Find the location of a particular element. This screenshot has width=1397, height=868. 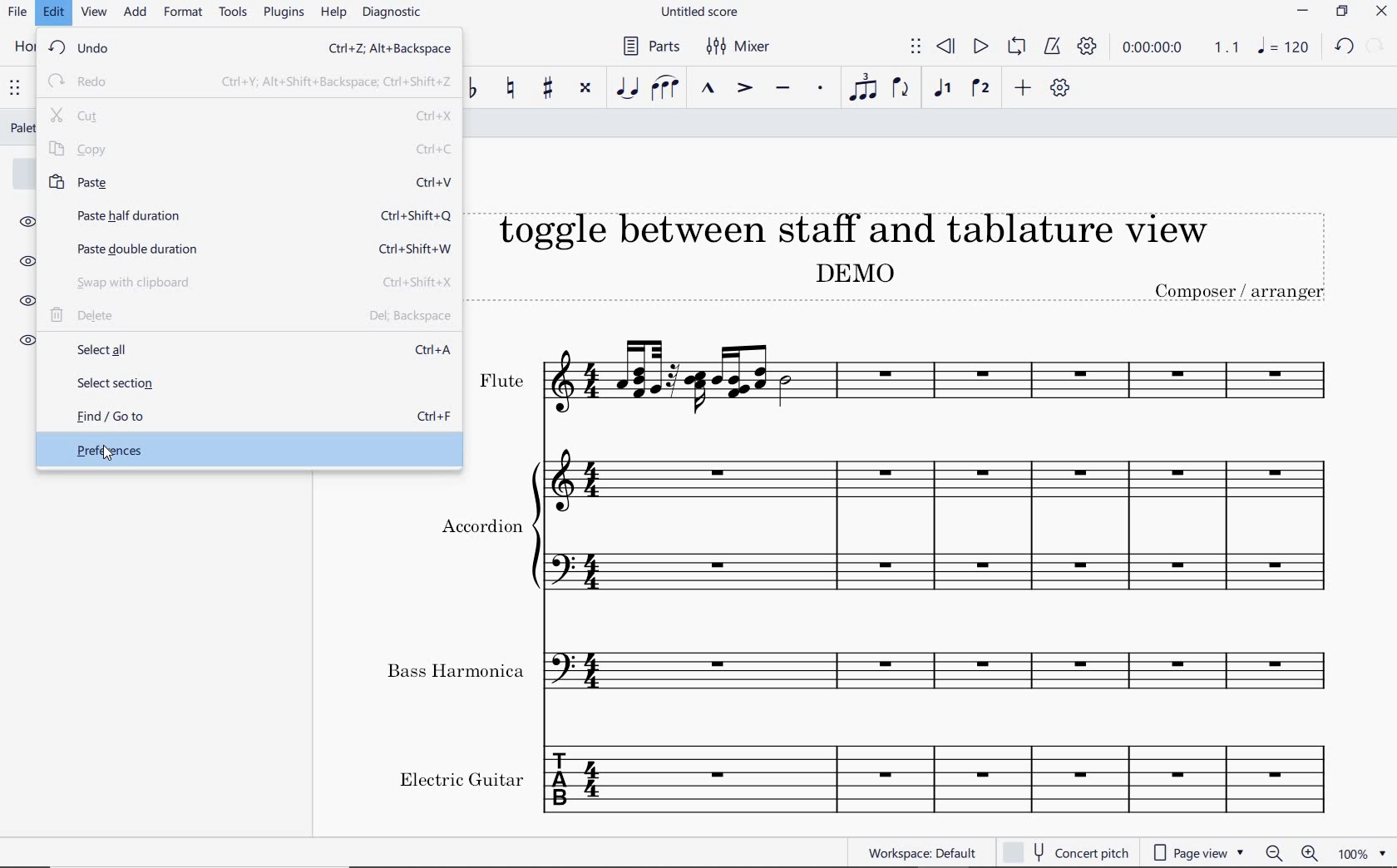

cut is located at coordinates (252, 116).